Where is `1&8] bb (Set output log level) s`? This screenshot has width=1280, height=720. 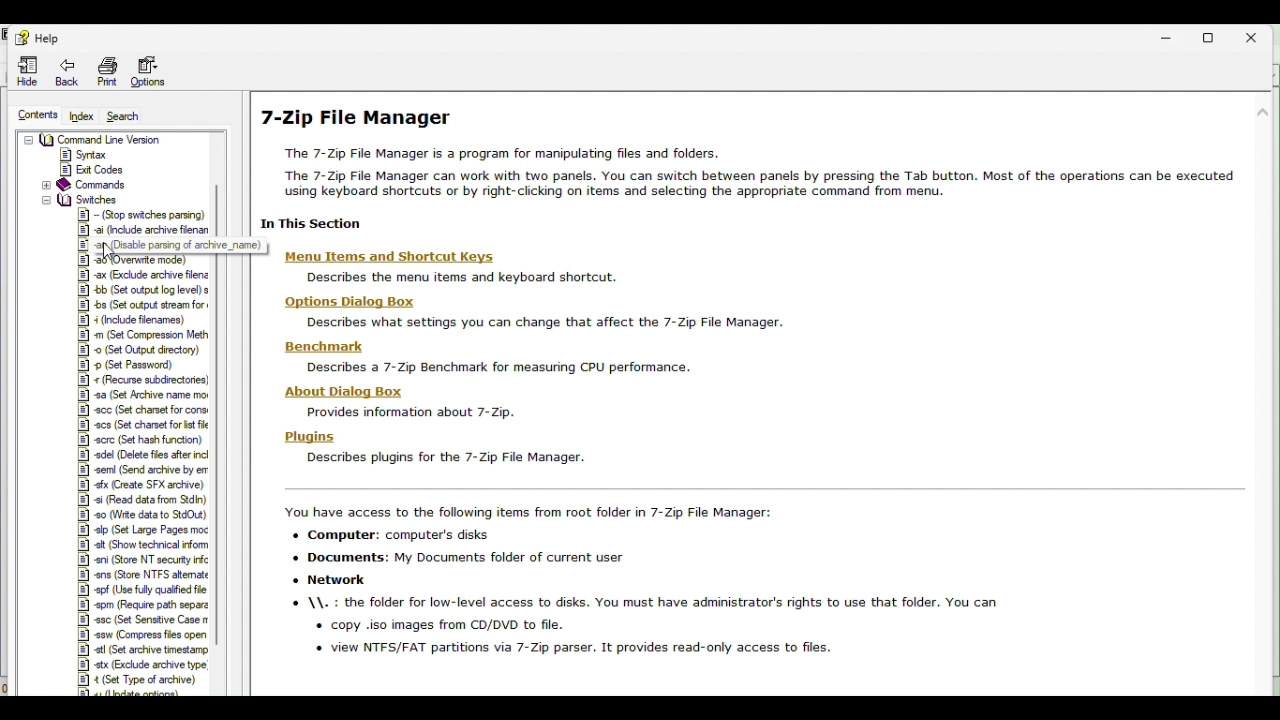 1&8] bb (Set output log level) s is located at coordinates (145, 290).